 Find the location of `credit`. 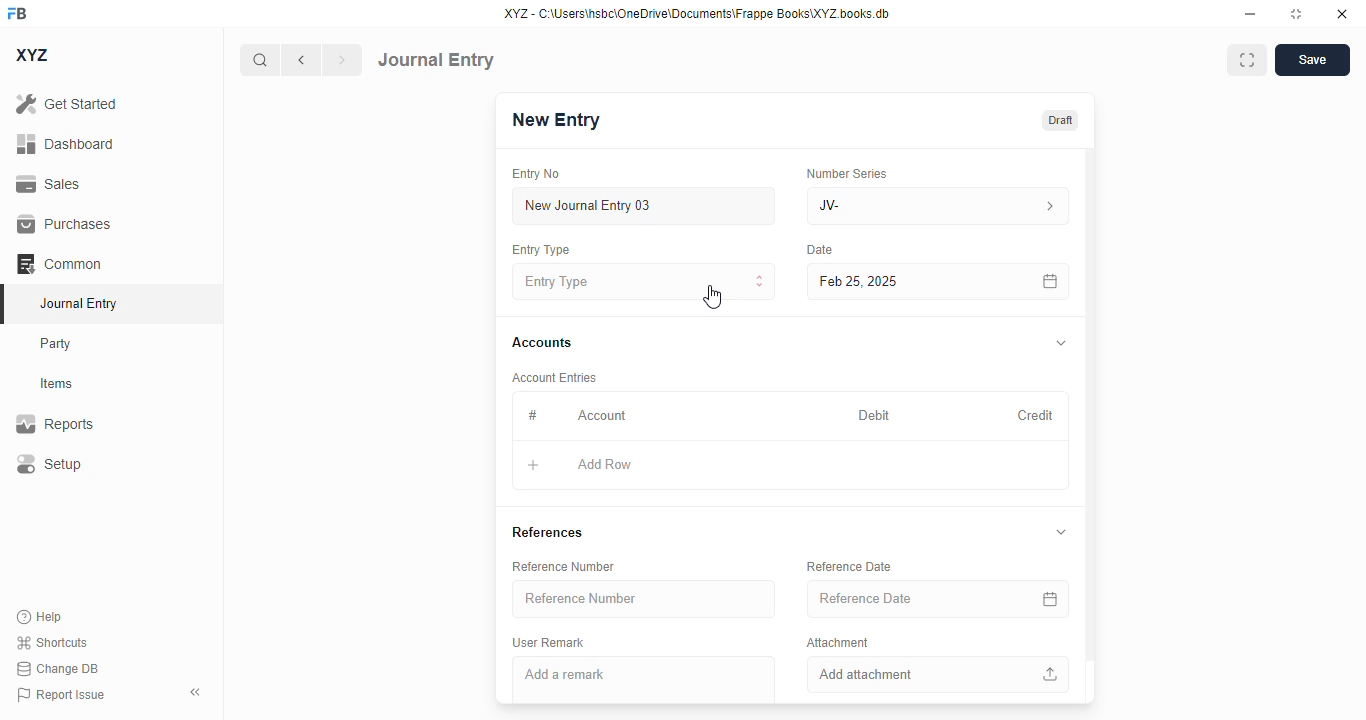

credit is located at coordinates (1037, 416).